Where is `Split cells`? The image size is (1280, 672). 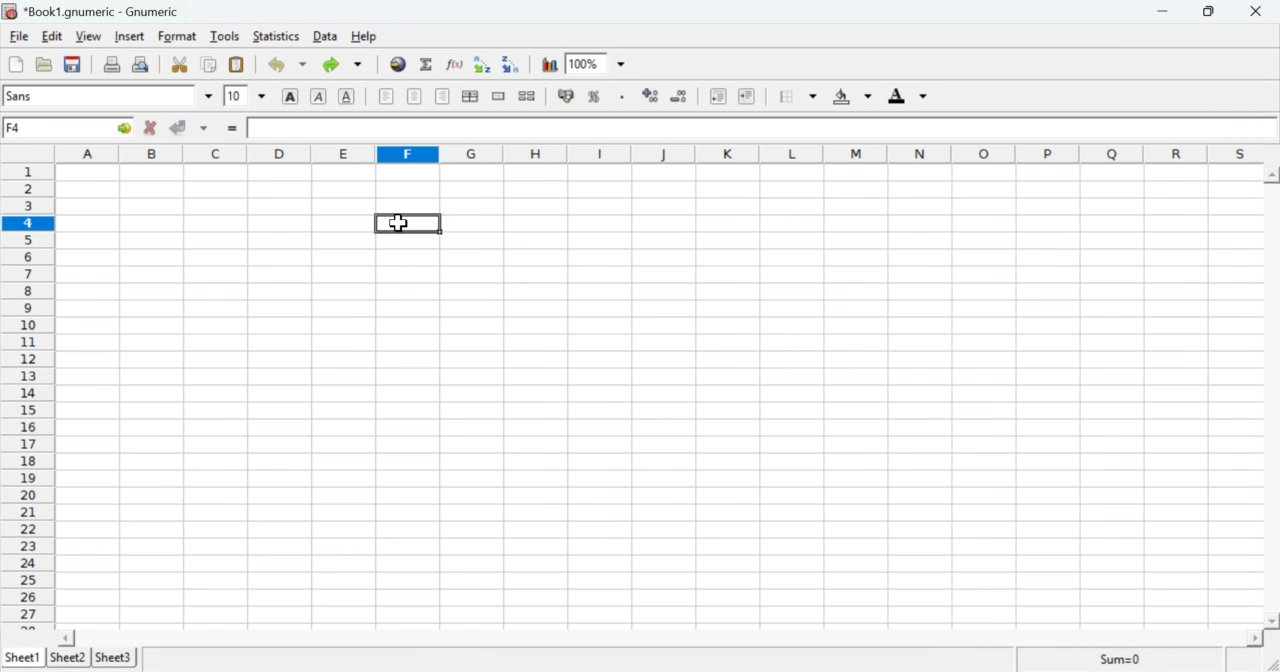 Split cells is located at coordinates (529, 98).